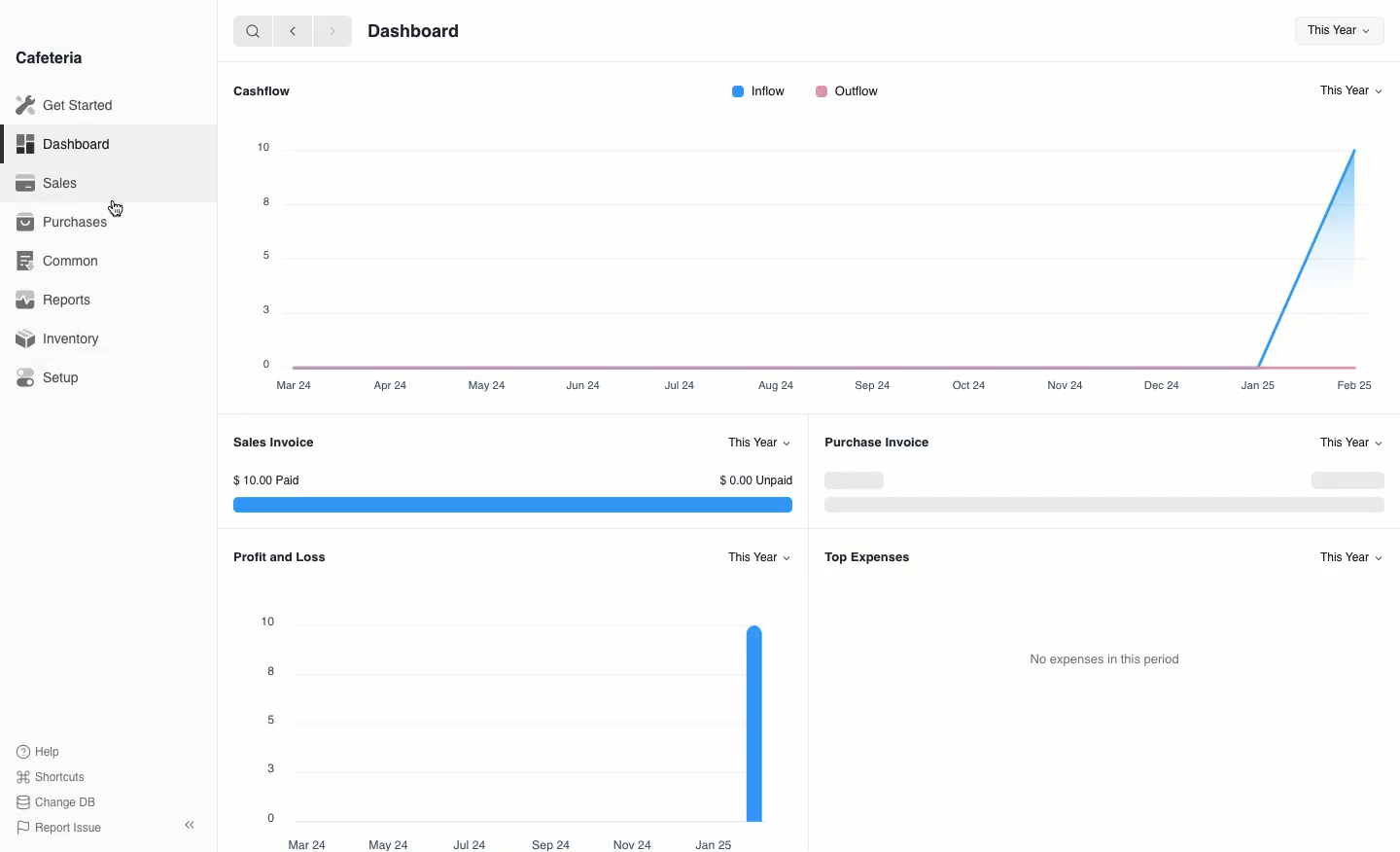  I want to click on 5, so click(272, 720).